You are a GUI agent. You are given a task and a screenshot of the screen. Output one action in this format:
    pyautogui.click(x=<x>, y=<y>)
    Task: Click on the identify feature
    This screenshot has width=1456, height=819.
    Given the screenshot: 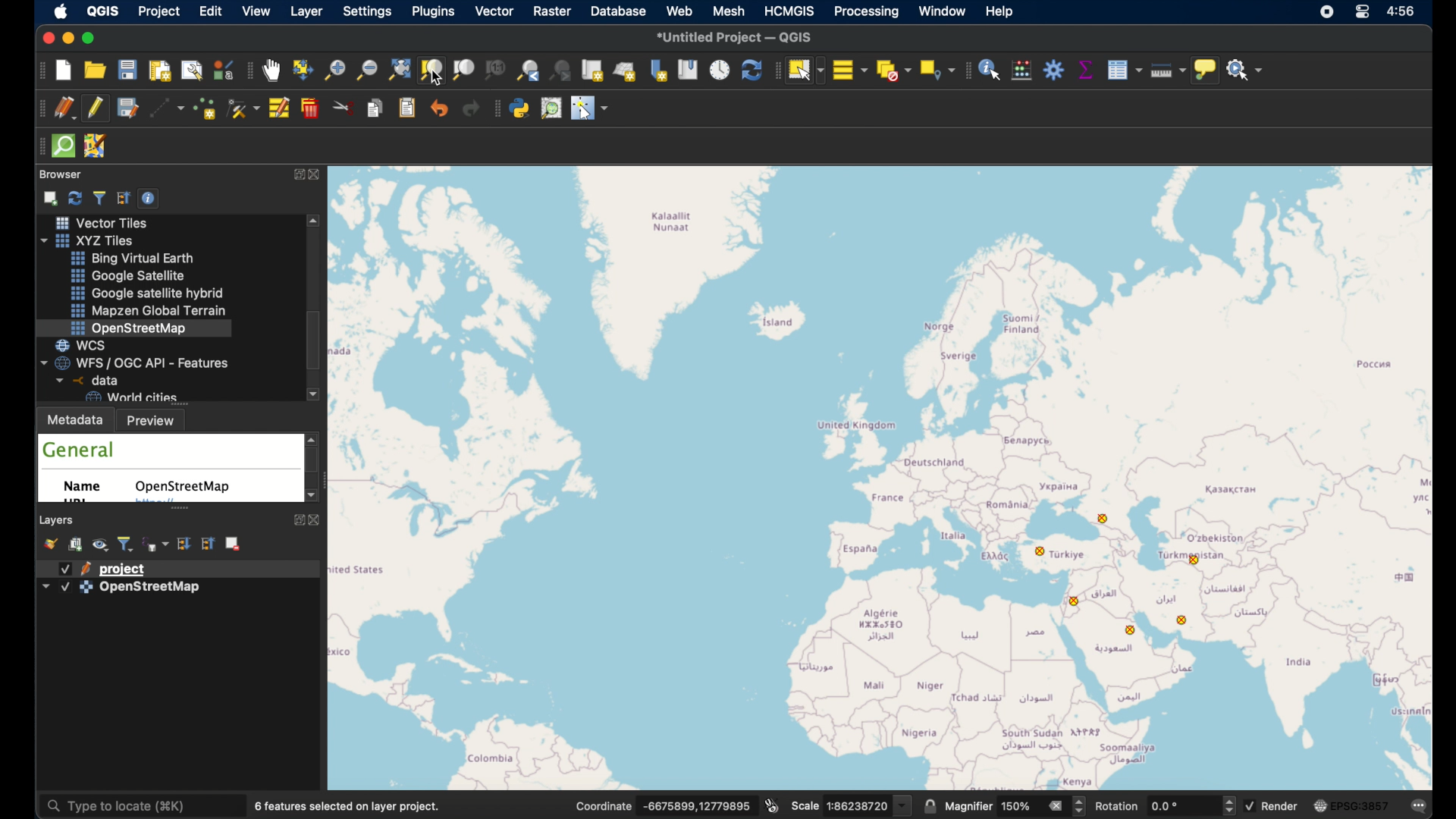 What is the action you would take?
    pyautogui.click(x=990, y=70)
    